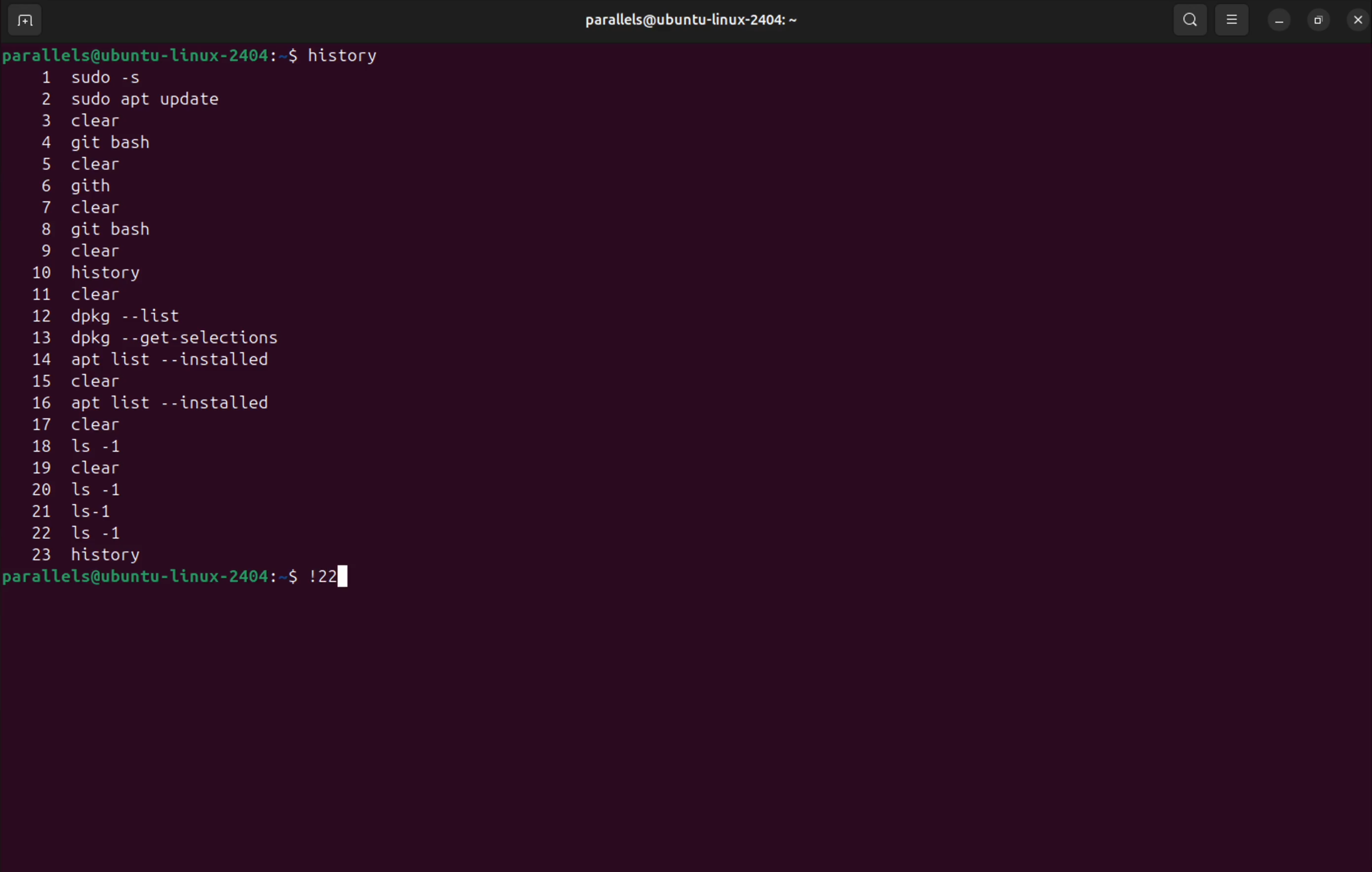 The height and width of the screenshot is (872, 1372). I want to click on 16 apt list installed, so click(151, 404).